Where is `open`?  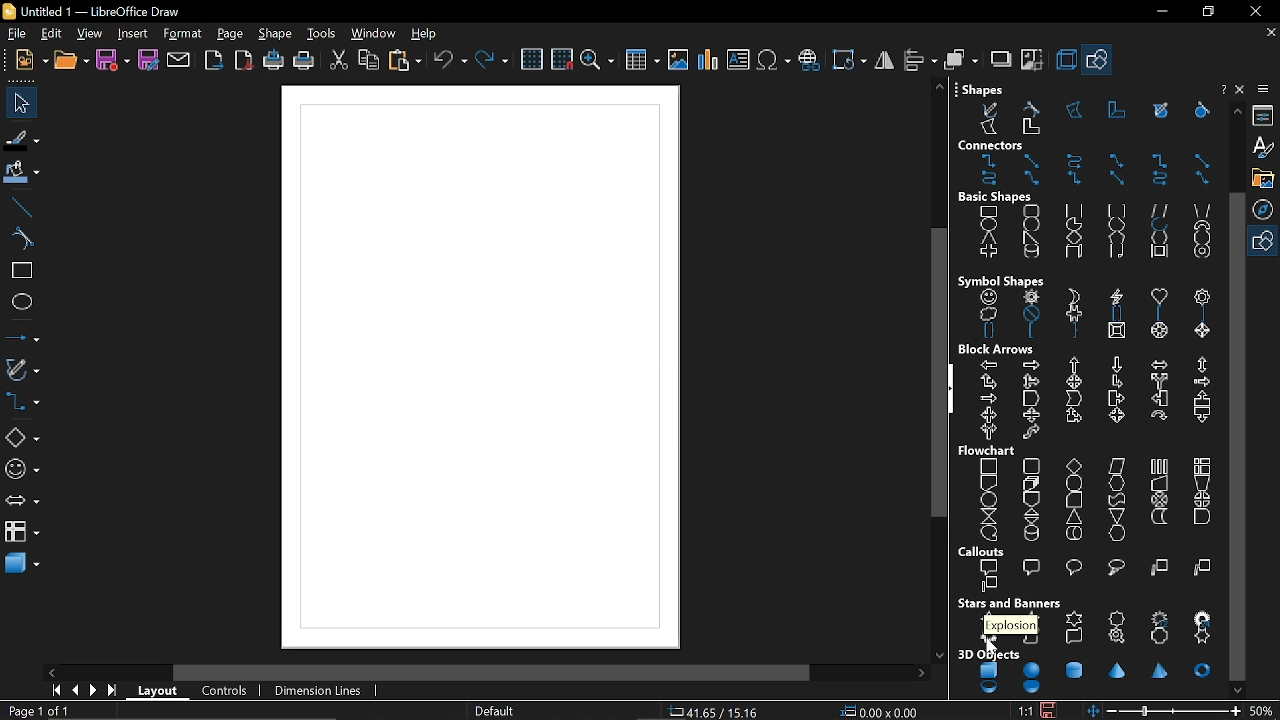
open is located at coordinates (72, 62).